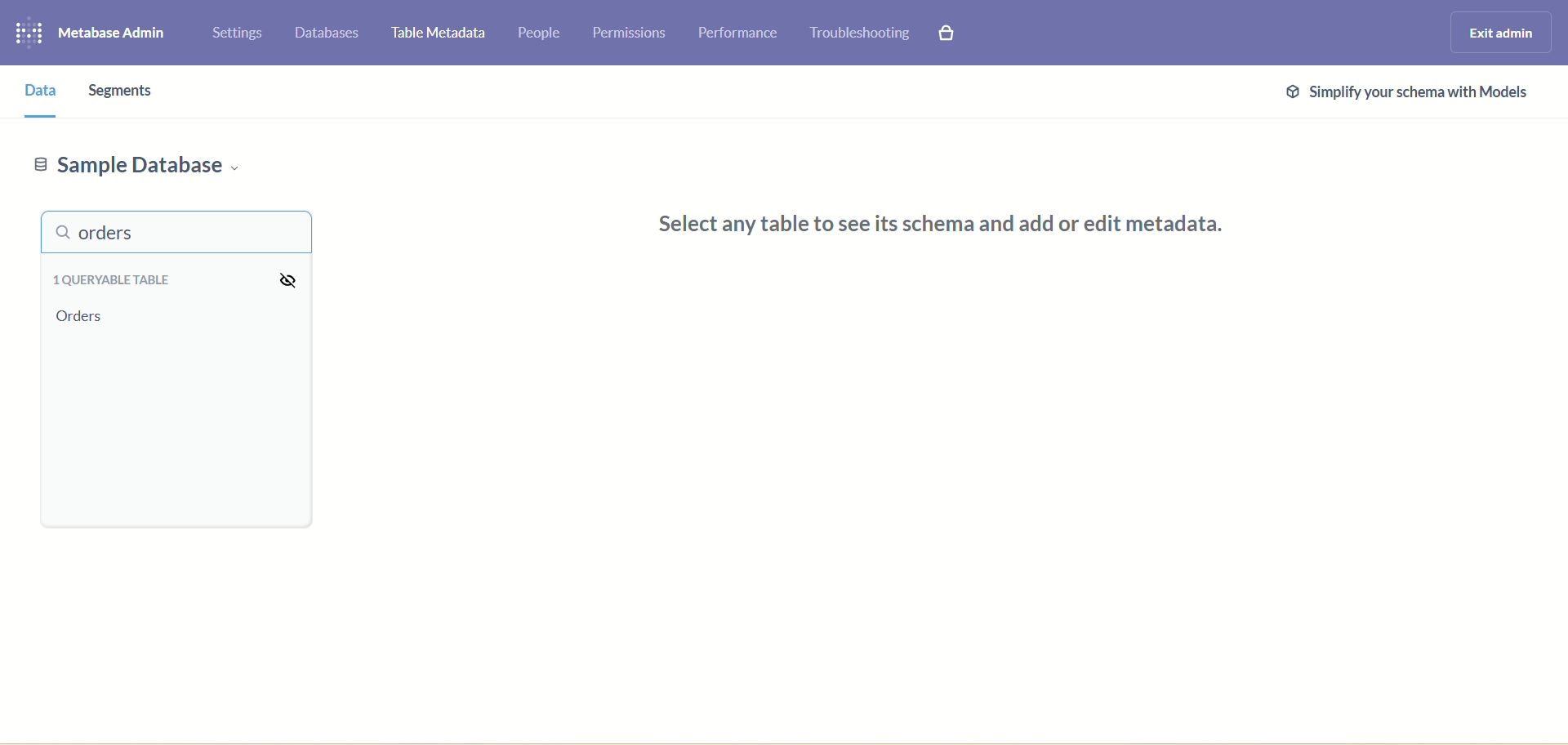 This screenshot has height=745, width=1568. Describe the element at coordinates (948, 38) in the screenshot. I see `paid features` at that location.